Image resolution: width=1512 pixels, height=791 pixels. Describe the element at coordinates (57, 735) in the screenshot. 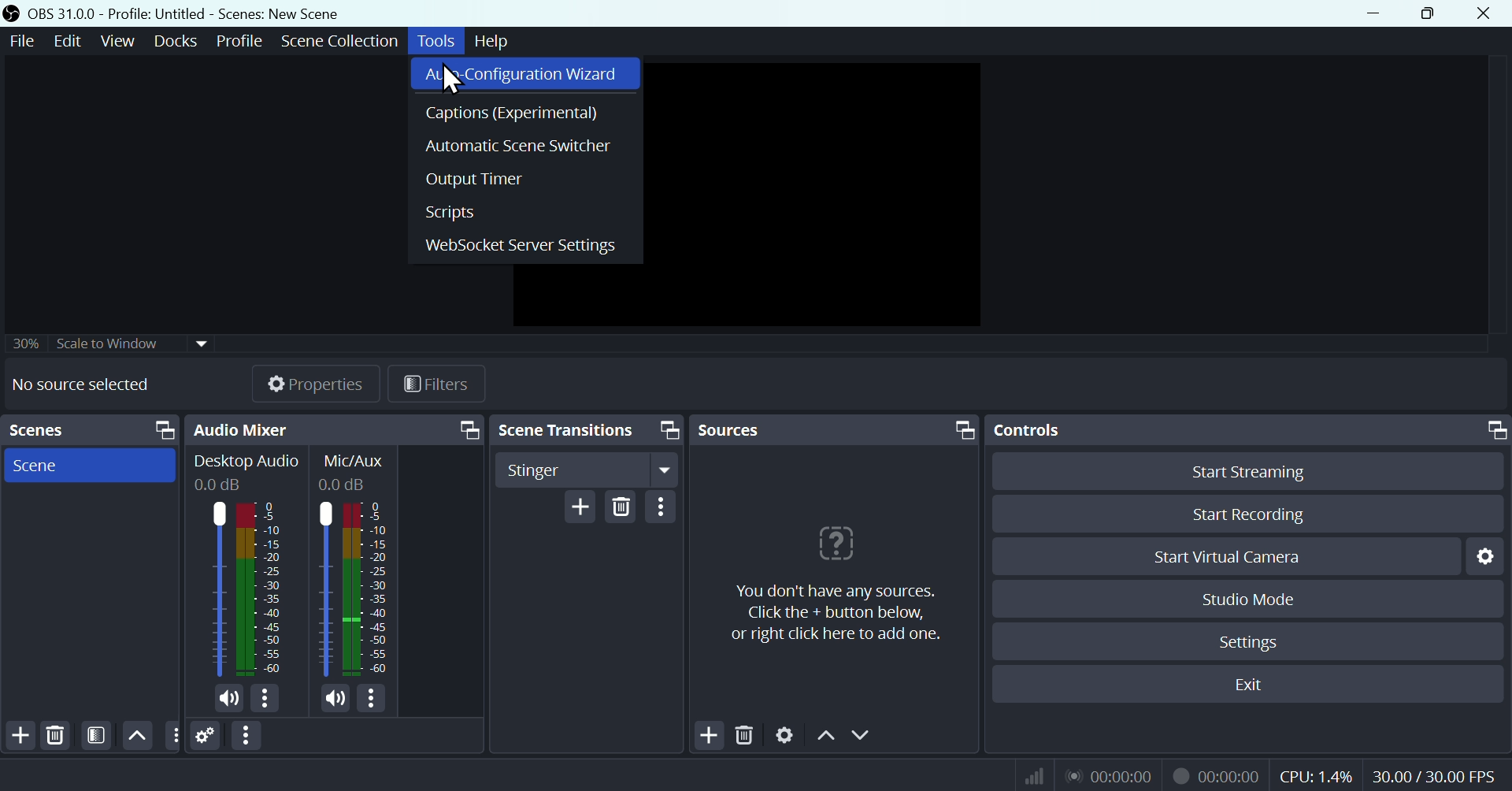

I see `Delete` at that location.